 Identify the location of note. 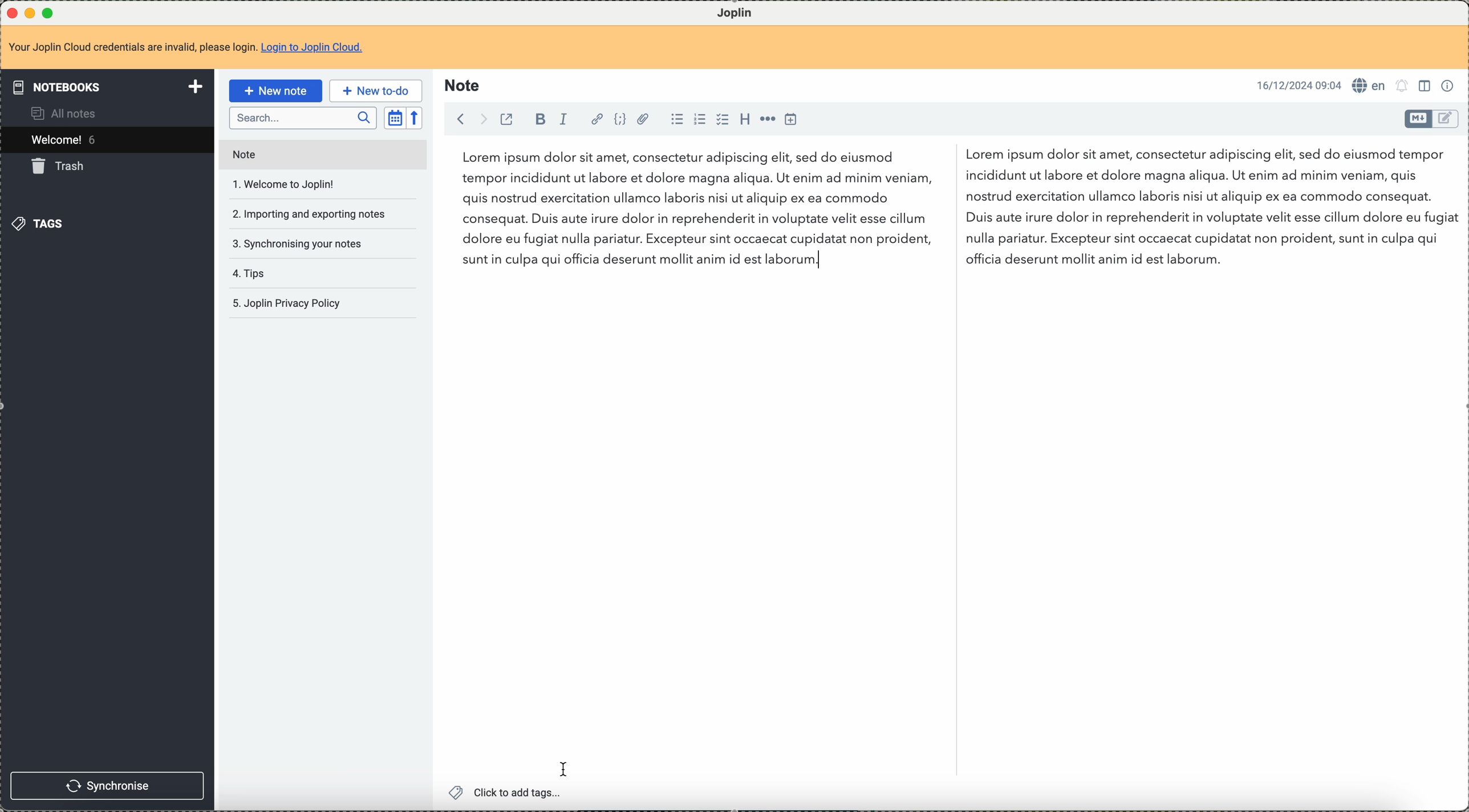
(242, 153).